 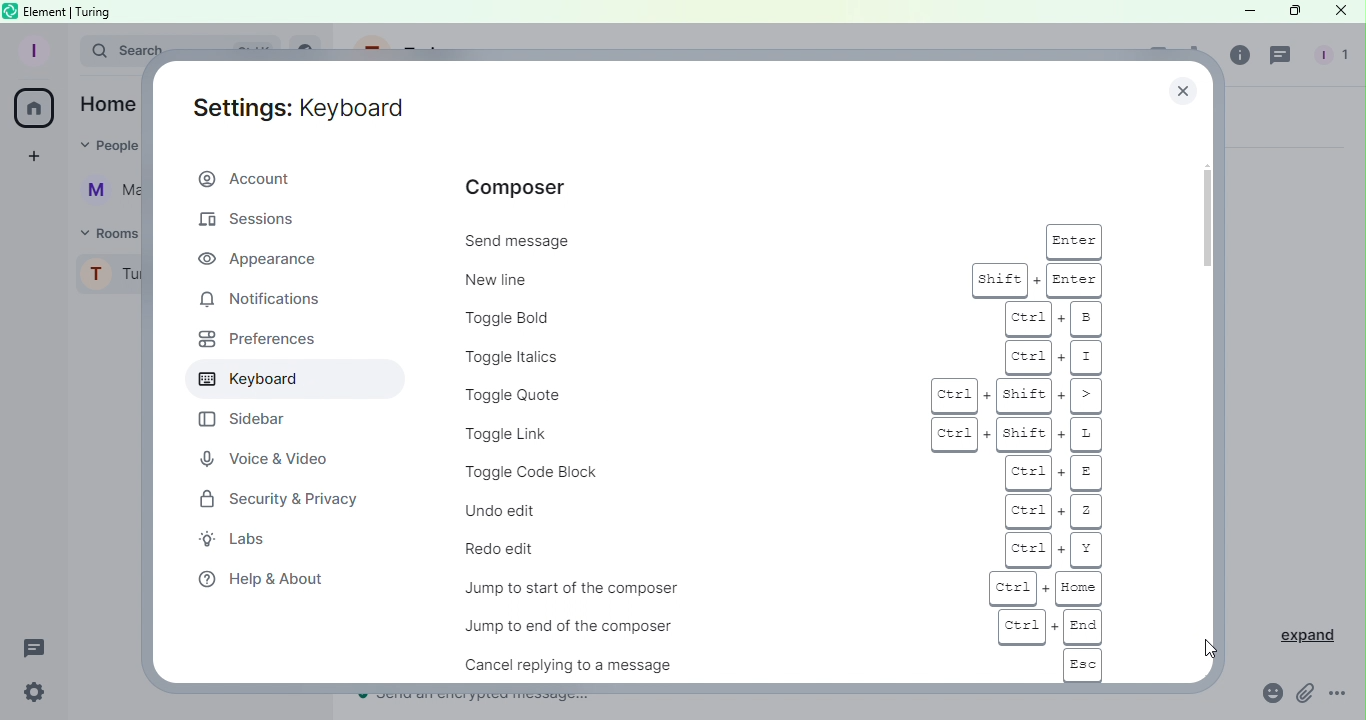 What do you see at coordinates (239, 420) in the screenshot?
I see `Sidebar` at bounding box center [239, 420].